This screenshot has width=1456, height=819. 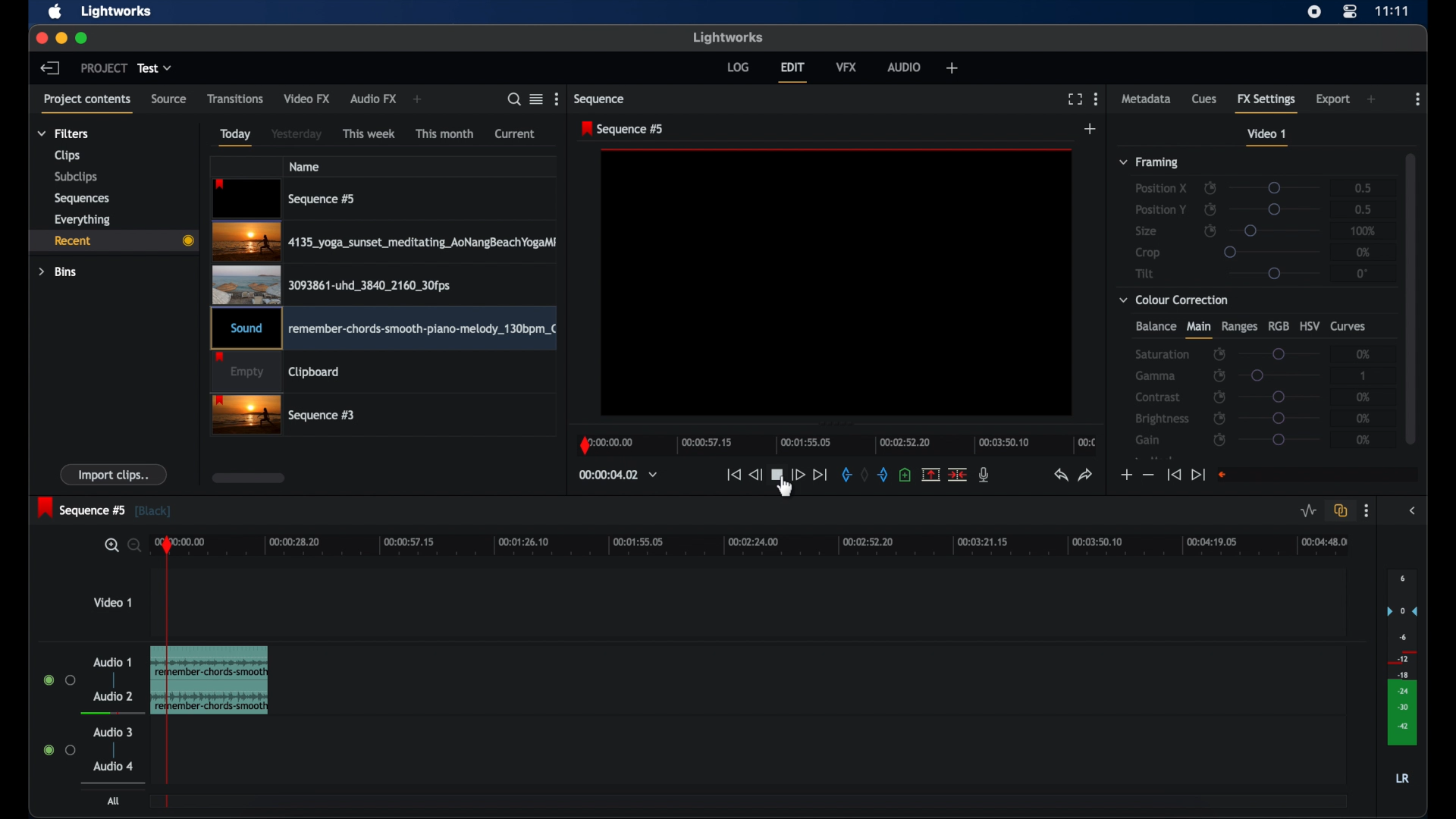 I want to click on lightworks, so click(x=728, y=38).